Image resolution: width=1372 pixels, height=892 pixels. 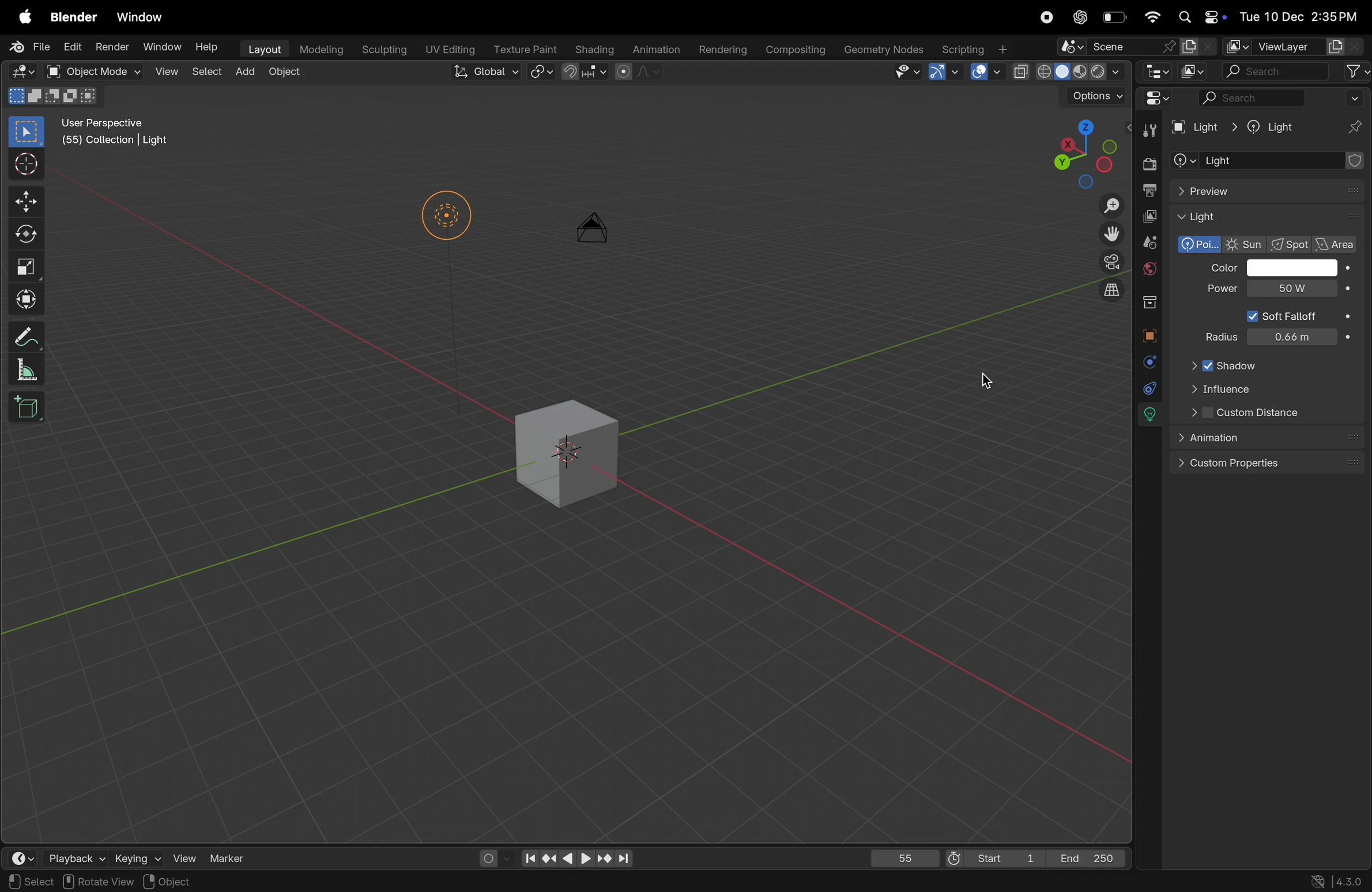 What do you see at coordinates (1222, 290) in the screenshot?
I see `Power` at bounding box center [1222, 290].